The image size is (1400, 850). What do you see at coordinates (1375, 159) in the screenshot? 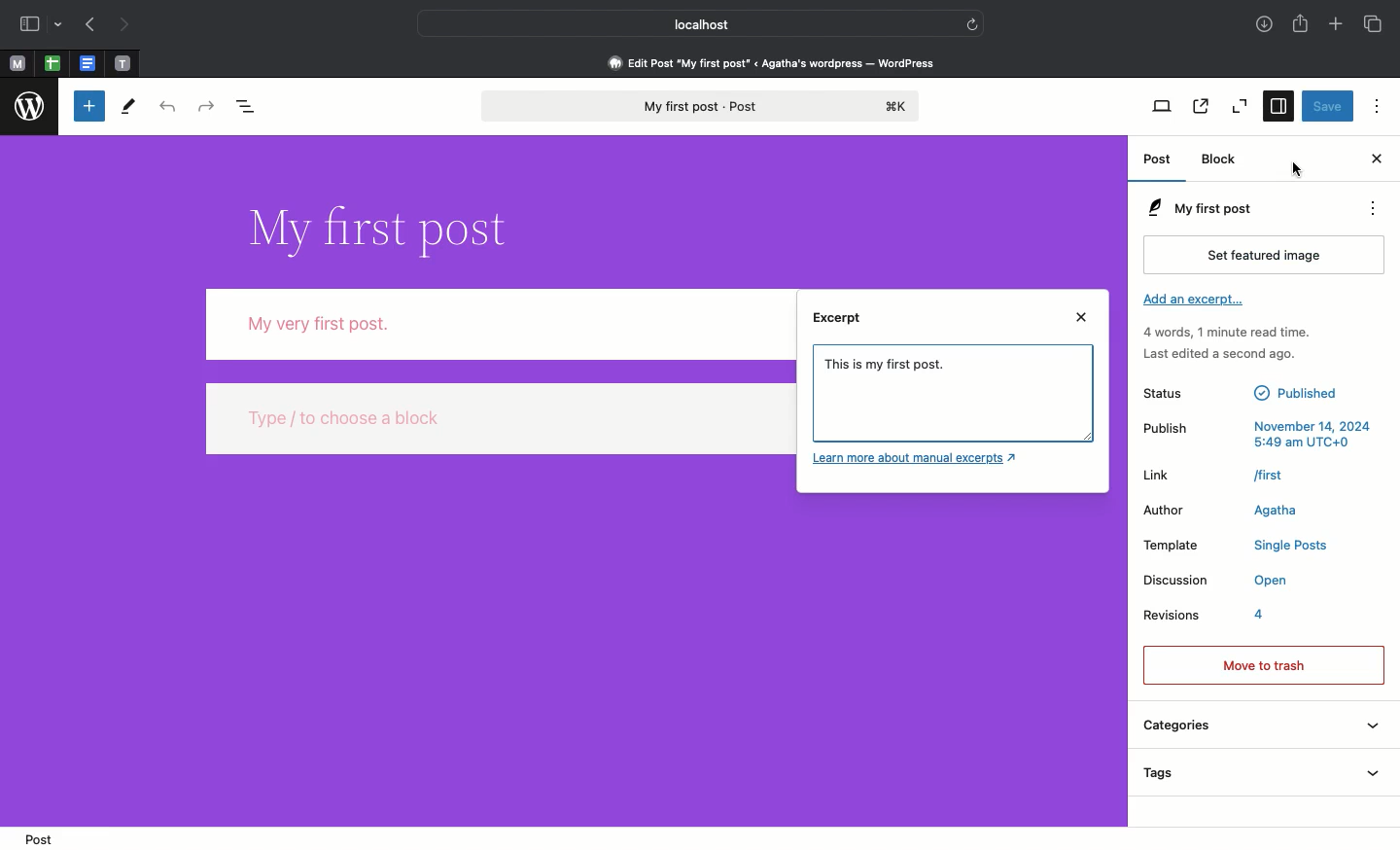
I see `Close` at bounding box center [1375, 159].